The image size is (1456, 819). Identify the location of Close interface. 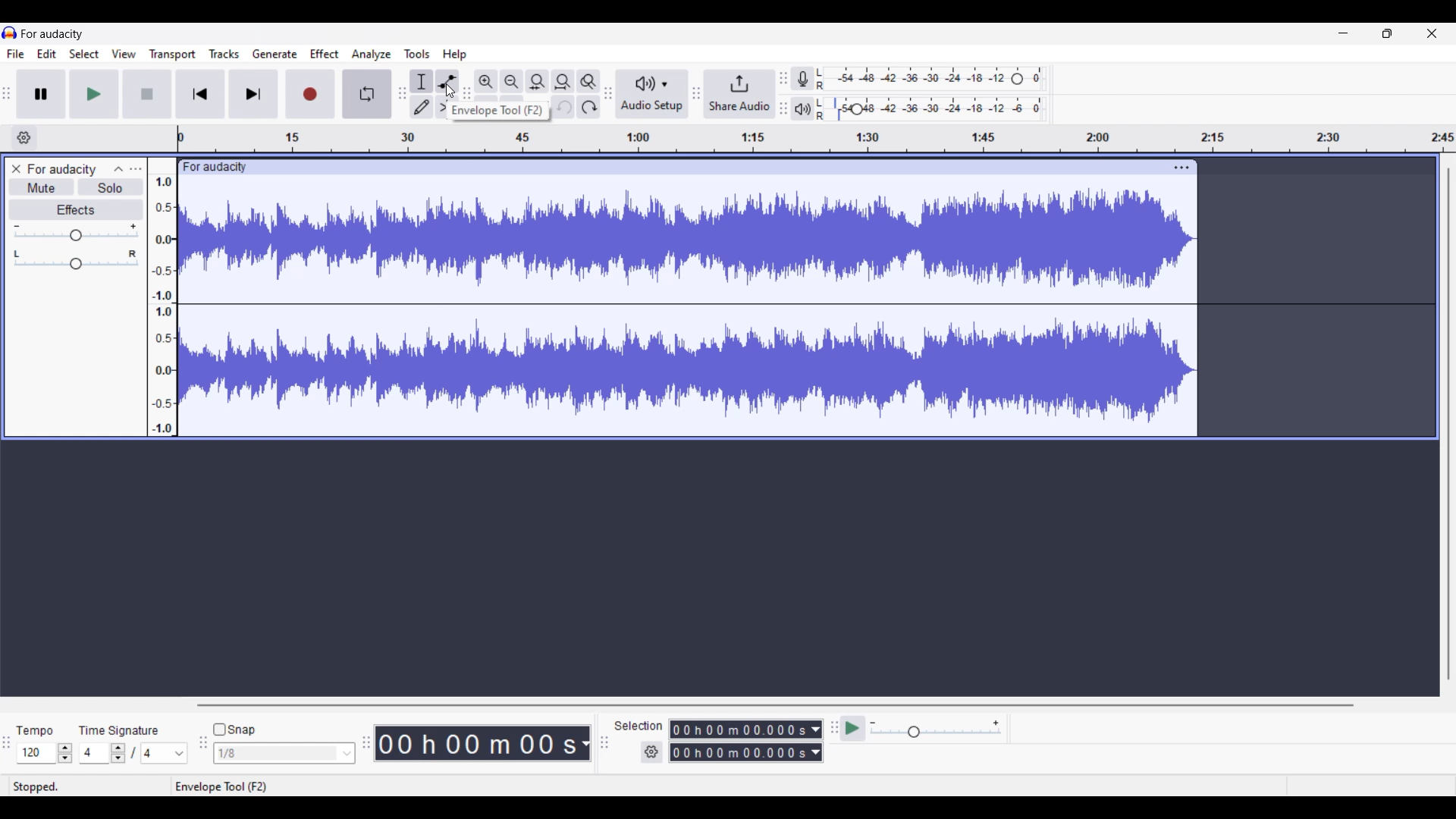
(1432, 33).